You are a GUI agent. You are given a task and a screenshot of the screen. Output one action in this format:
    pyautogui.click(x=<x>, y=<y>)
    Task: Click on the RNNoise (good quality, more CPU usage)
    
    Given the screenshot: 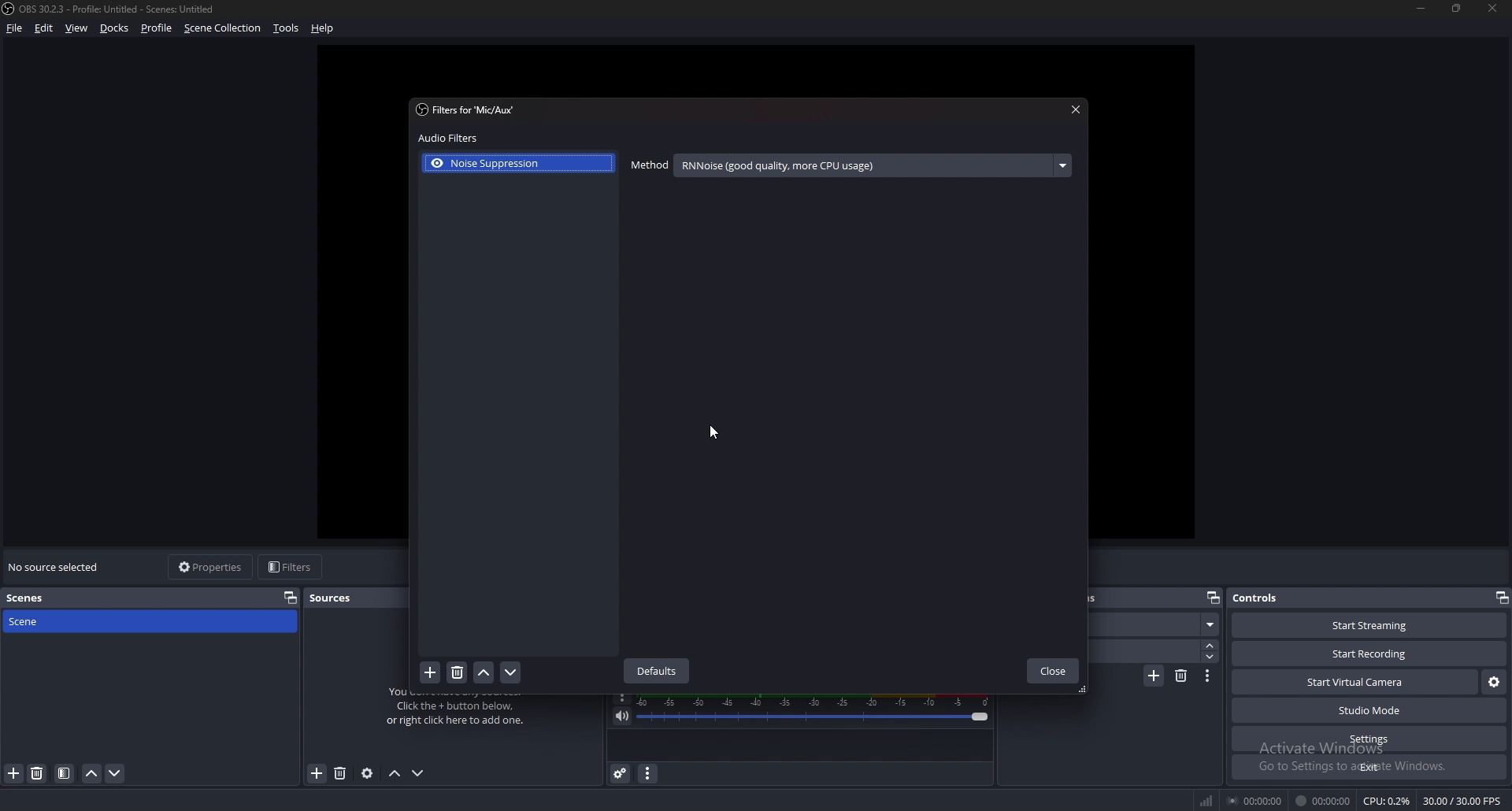 What is the action you would take?
    pyautogui.click(x=877, y=165)
    